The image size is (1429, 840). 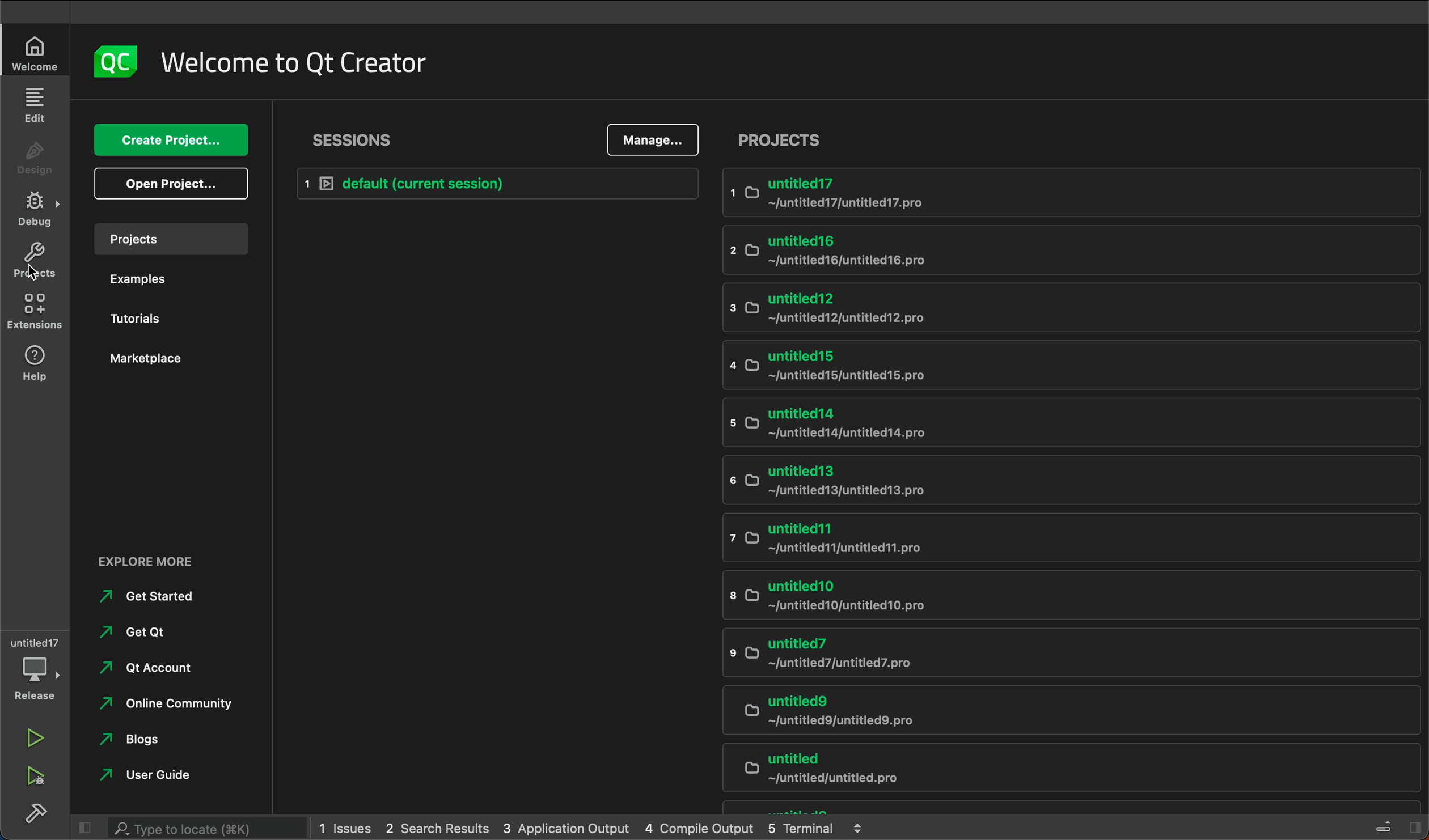 What do you see at coordinates (40, 815) in the screenshot?
I see `build` at bounding box center [40, 815].